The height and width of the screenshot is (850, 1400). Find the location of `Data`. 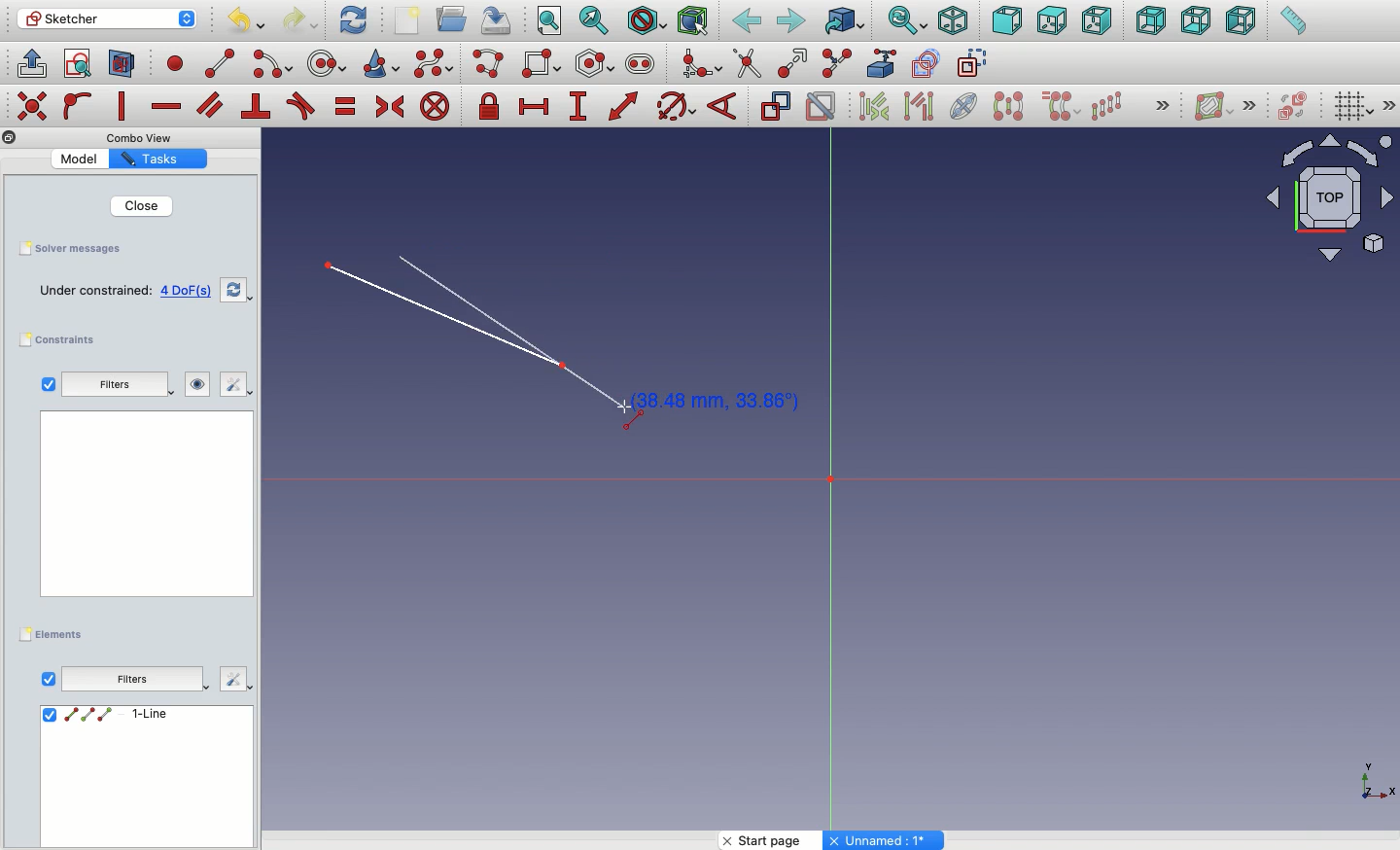

Data is located at coordinates (145, 775).